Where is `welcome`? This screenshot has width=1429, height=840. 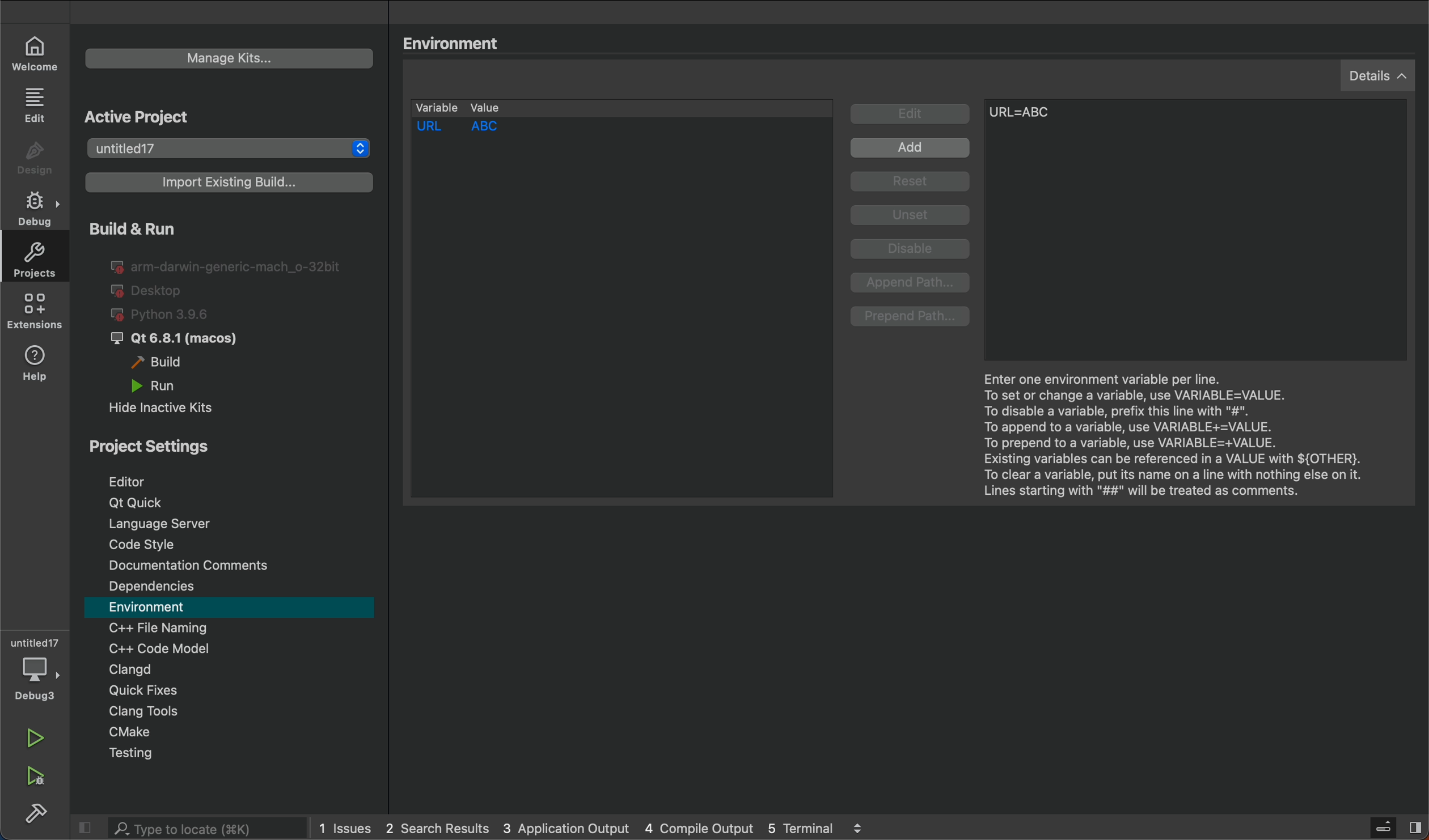
welcome is located at coordinates (36, 52).